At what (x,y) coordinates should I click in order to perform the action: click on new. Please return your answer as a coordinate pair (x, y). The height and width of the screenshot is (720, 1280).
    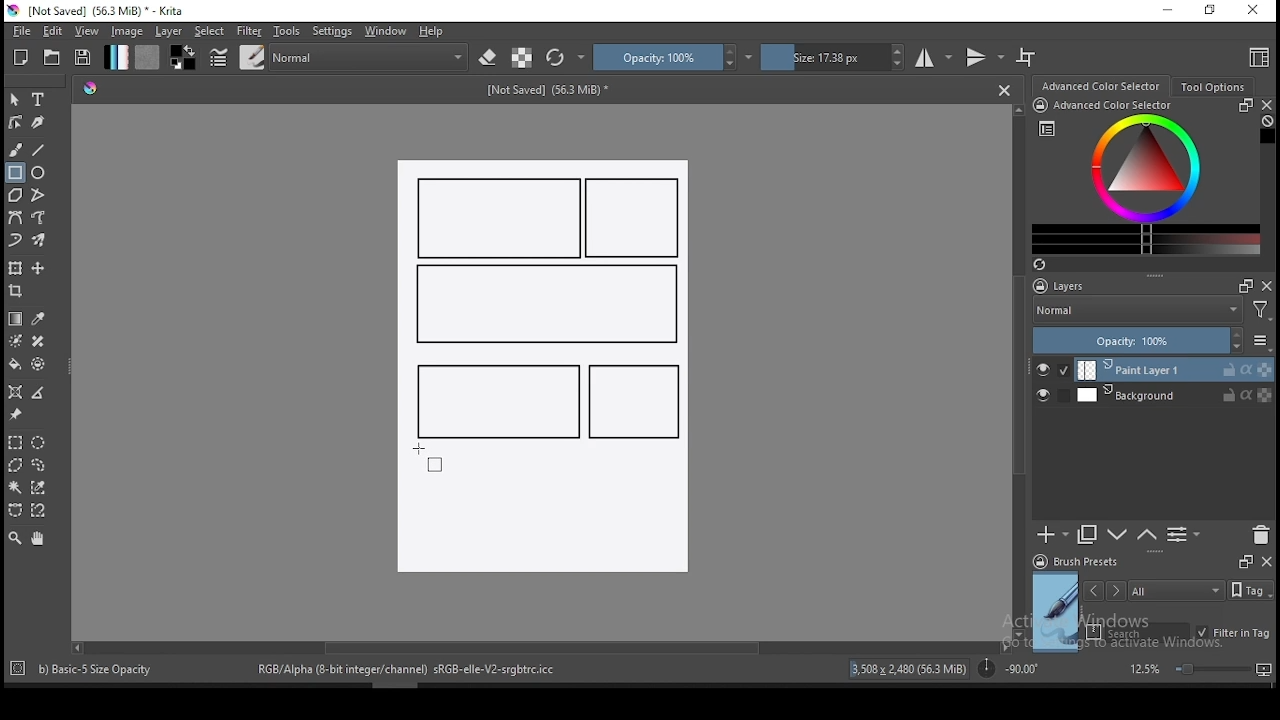
    Looking at the image, I should click on (21, 57).